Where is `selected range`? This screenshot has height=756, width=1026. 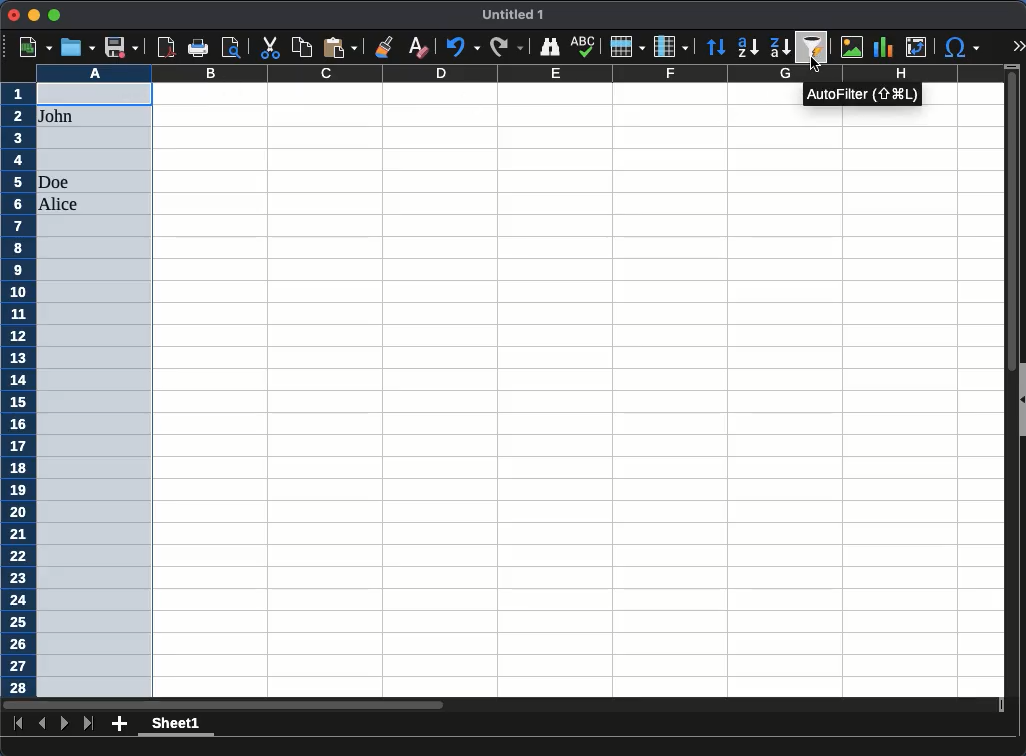 selected range is located at coordinates (95, 389).